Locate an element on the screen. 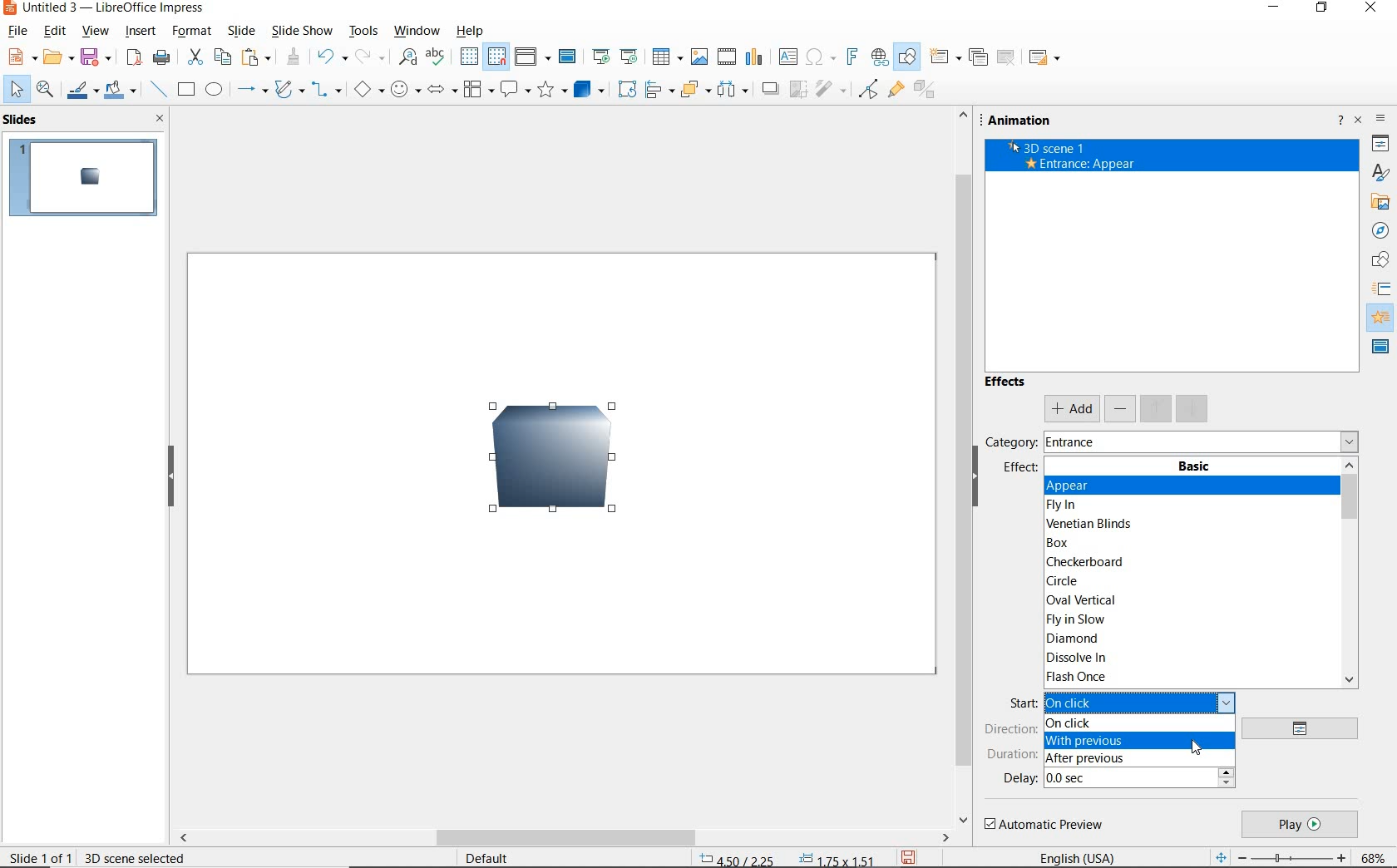  NAVIGATOR is located at coordinates (1380, 231).